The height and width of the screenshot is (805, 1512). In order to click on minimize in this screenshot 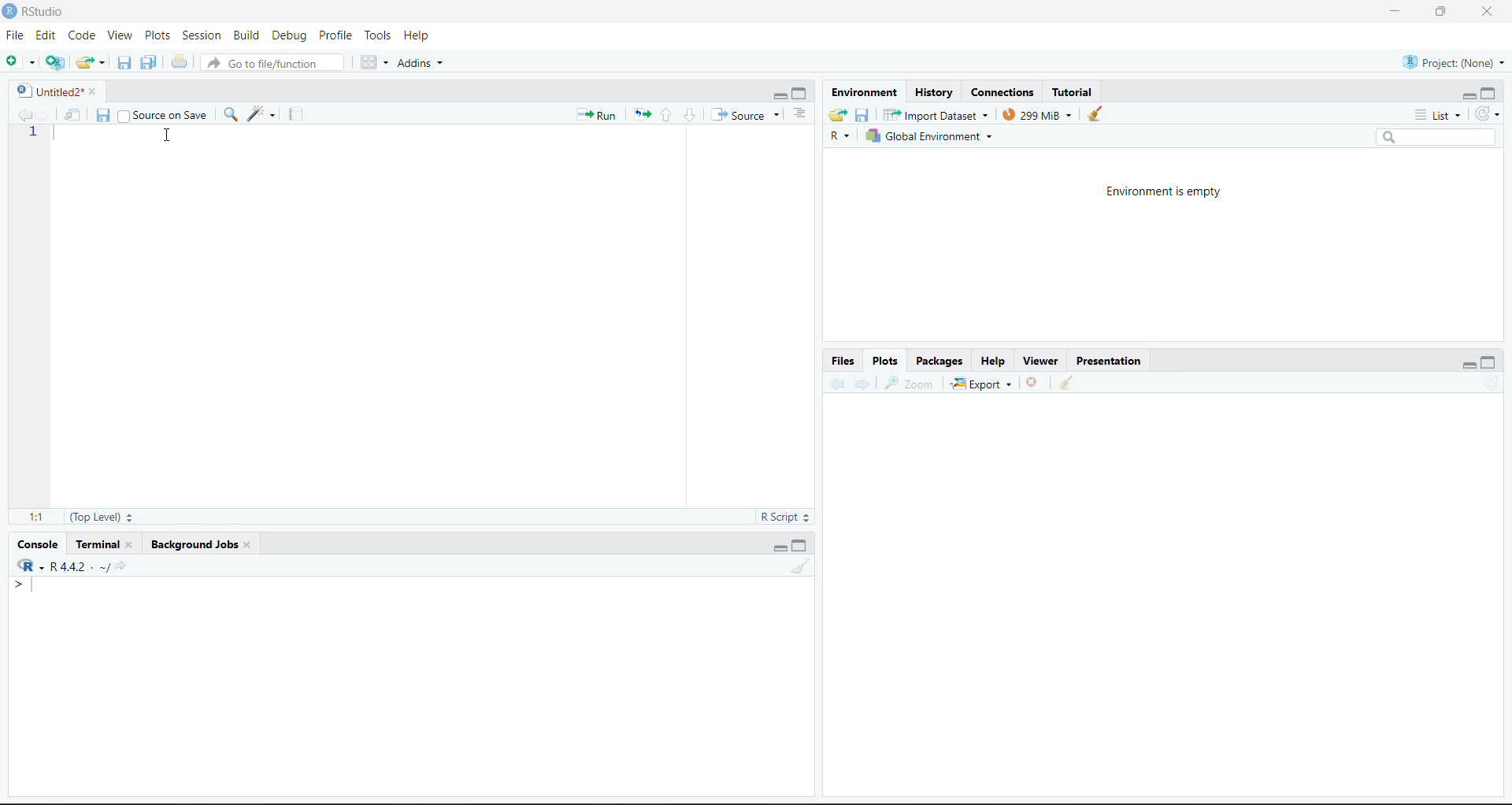, I will do `click(781, 547)`.